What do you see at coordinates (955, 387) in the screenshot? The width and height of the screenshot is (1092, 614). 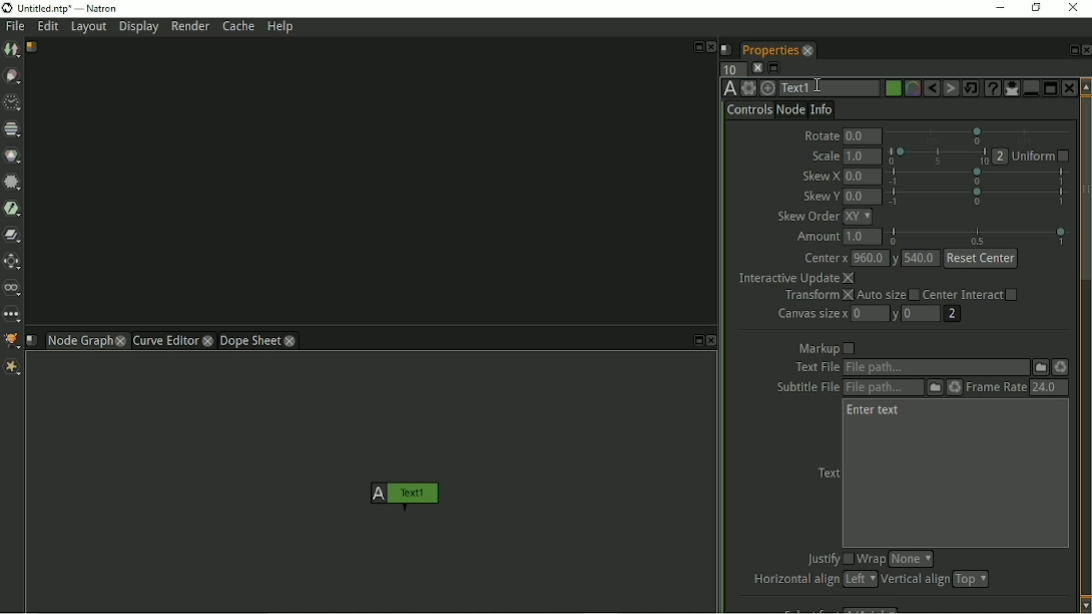 I see `Reload the file` at bounding box center [955, 387].